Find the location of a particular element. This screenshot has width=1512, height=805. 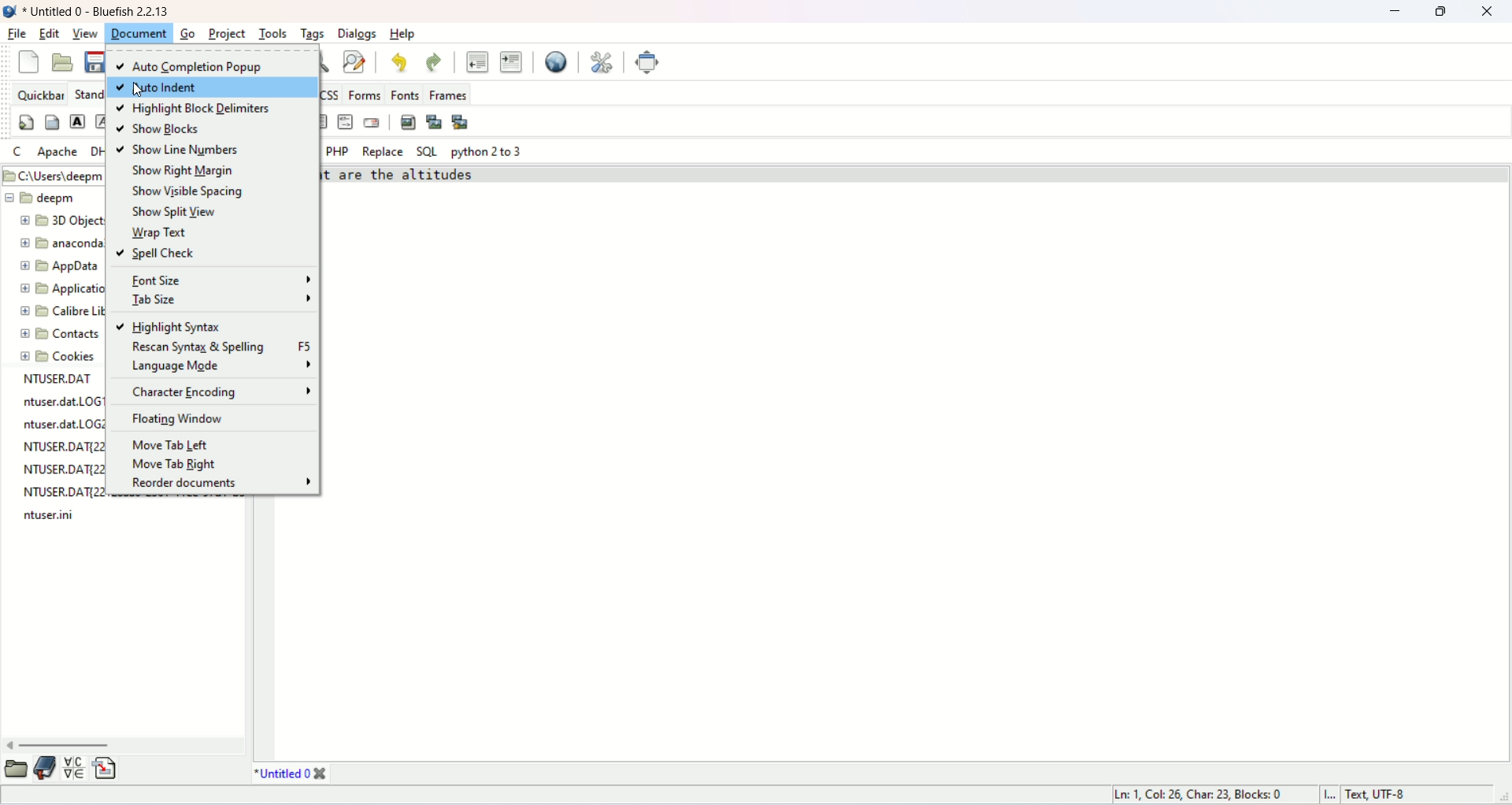

move tab left is located at coordinates (169, 444).